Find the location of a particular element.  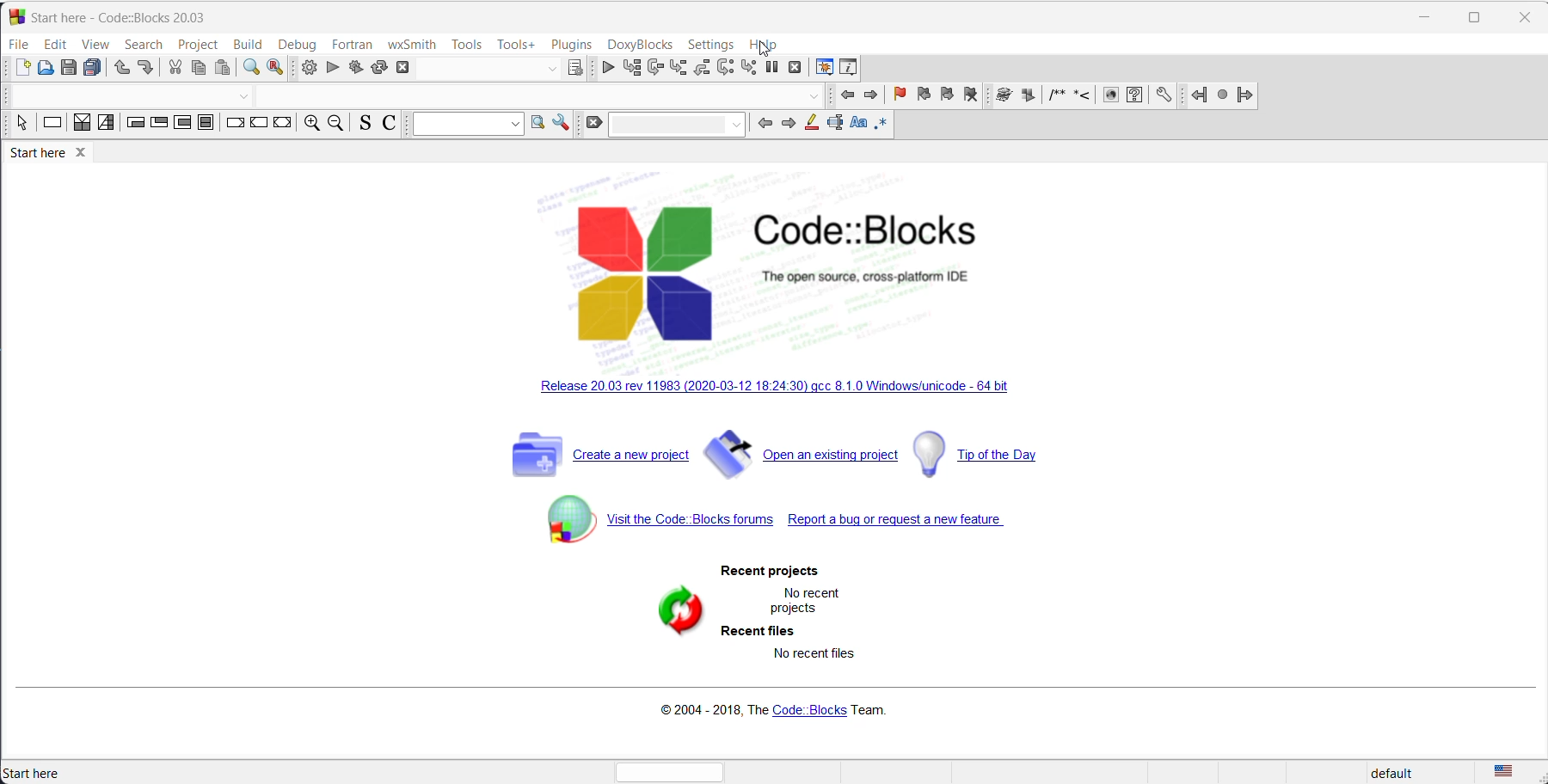

cursor is located at coordinates (764, 52).